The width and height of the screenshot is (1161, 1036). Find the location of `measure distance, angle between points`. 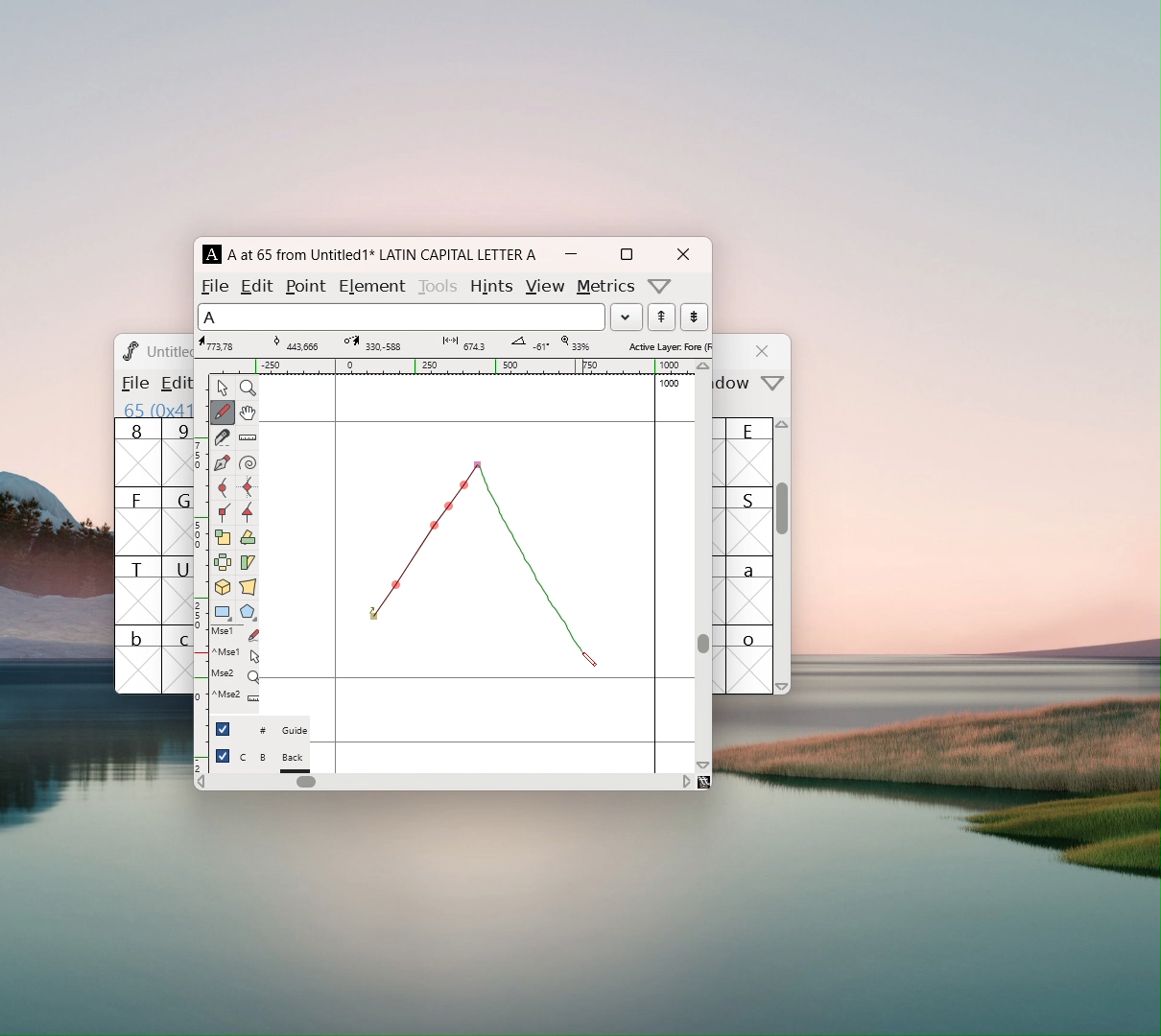

measure distance, angle between points is located at coordinates (248, 438).